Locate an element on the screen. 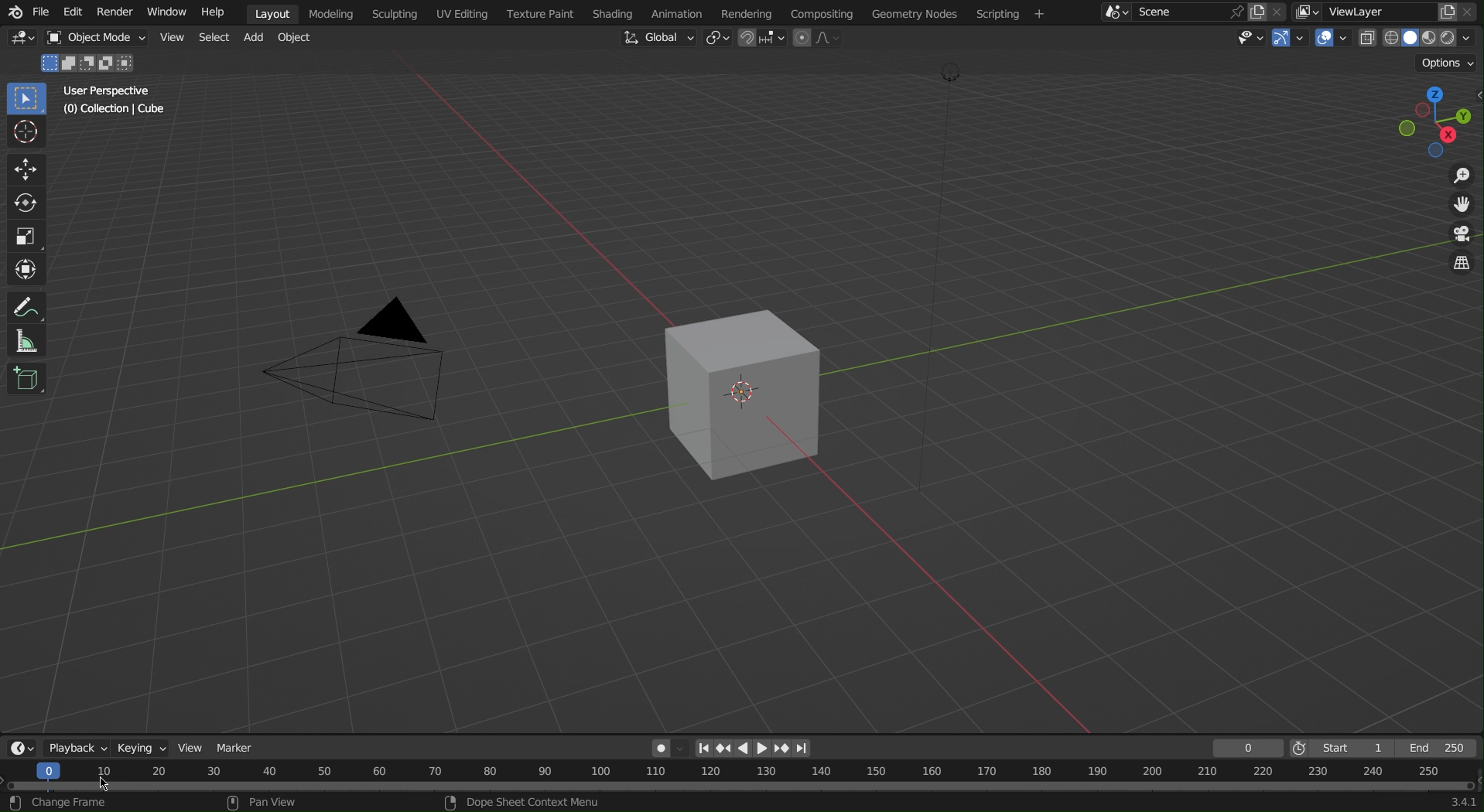  Mode is located at coordinates (88, 63).